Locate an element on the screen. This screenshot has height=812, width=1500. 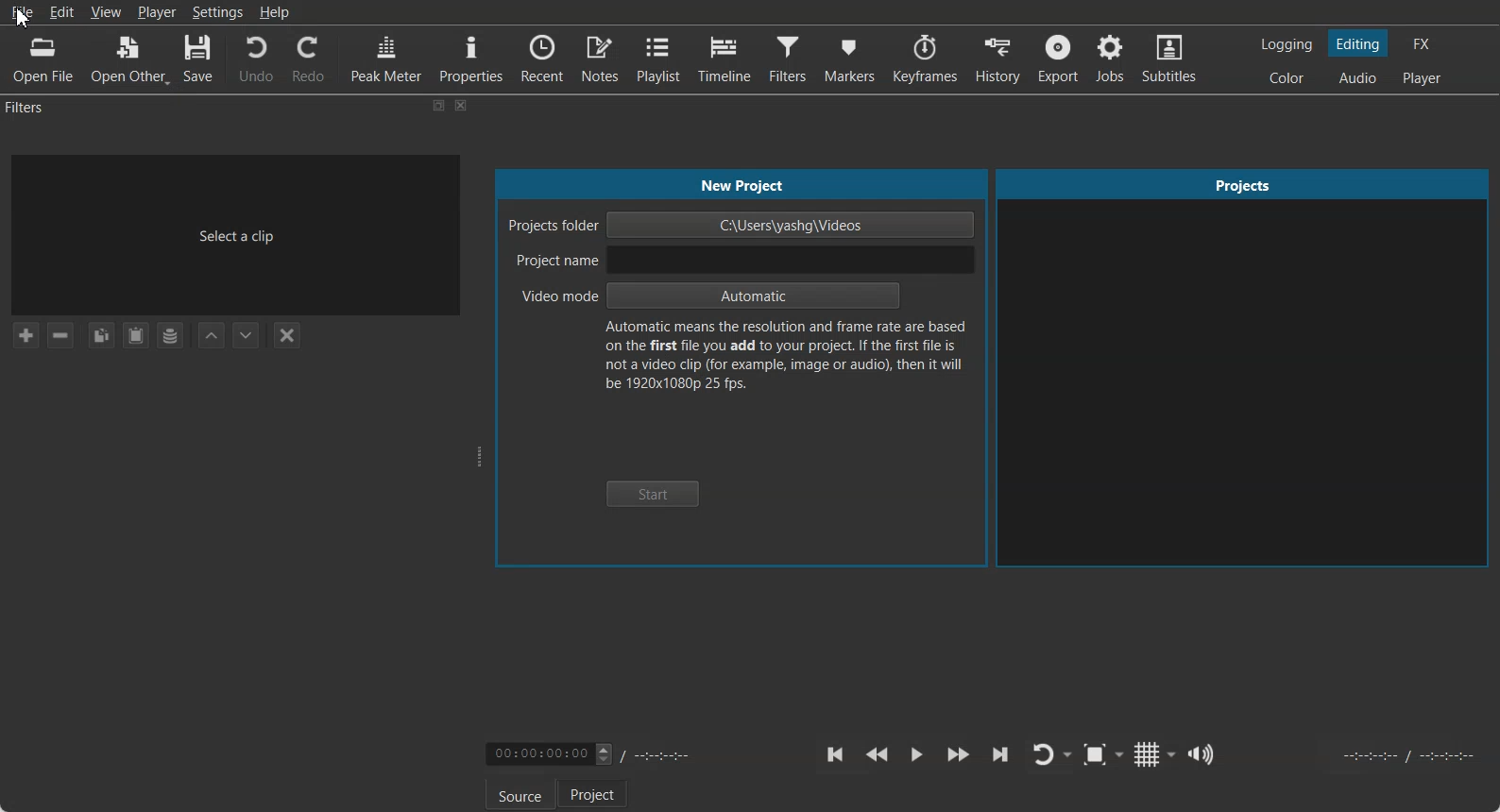
Drop down box is located at coordinates (1069, 755).